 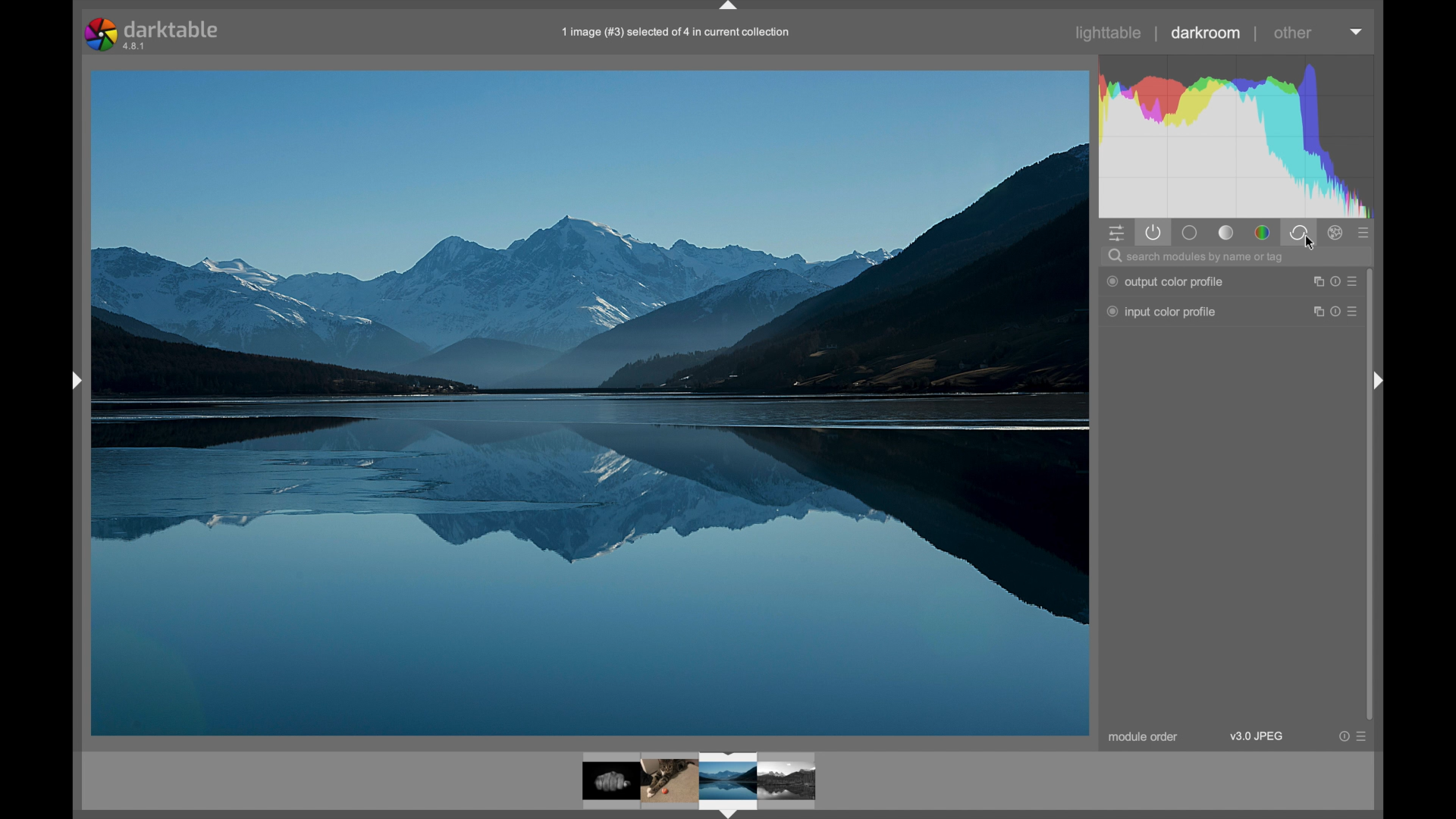 What do you see at coordinates (1164, 281) in the screenshot?
I see `output  color  profile` at bounding box center [1164, 281].